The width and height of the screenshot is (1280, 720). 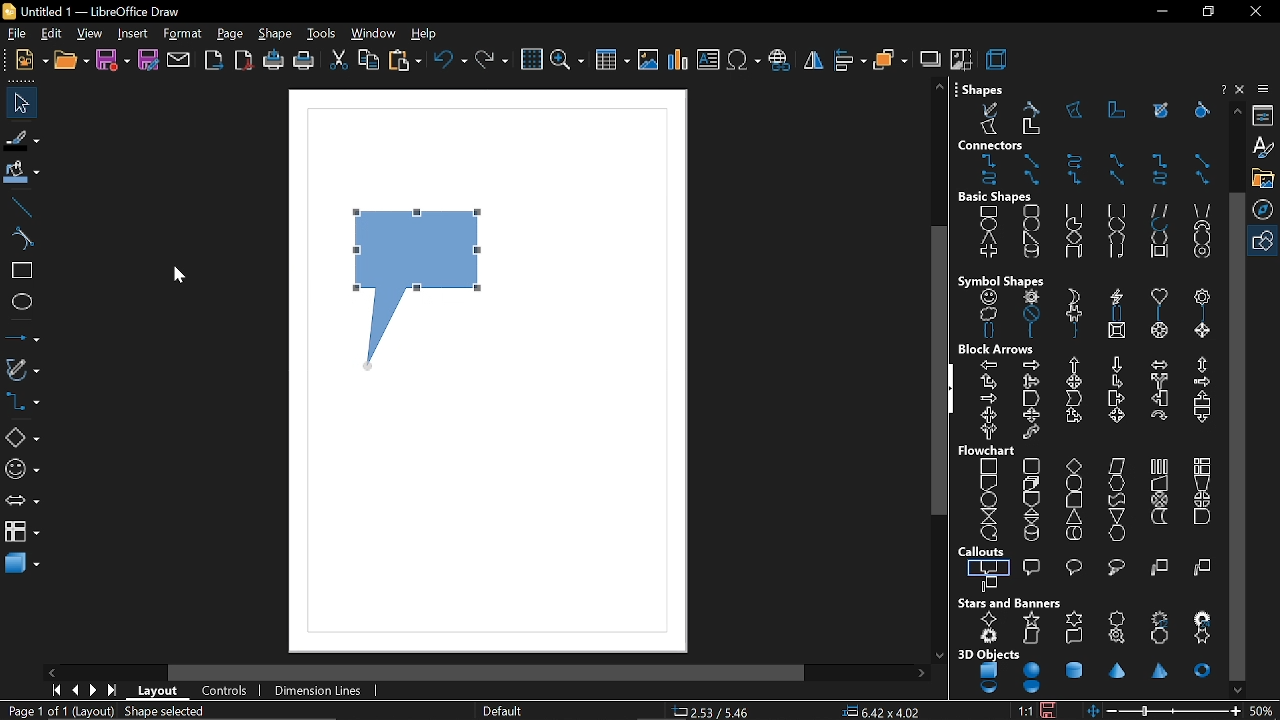 What do you see at coordinates (1029, 238) in the screenshot?
I see `right angle triangle` at bounding box center [1029, 238].